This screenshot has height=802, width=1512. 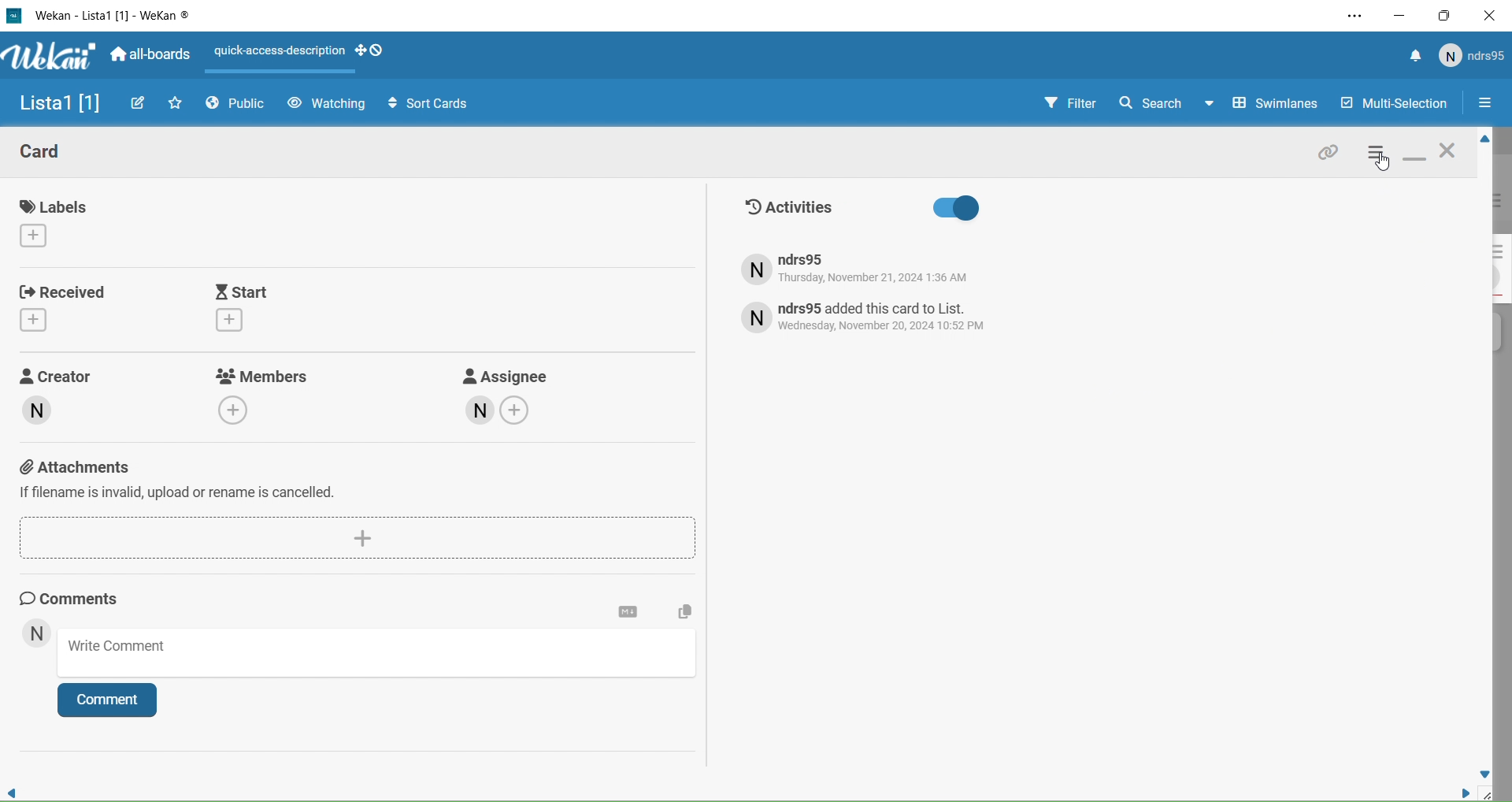 What do you see at coordinates (256, 395) in the screenshot?
I see `Members` at bounding box center [256, 395].